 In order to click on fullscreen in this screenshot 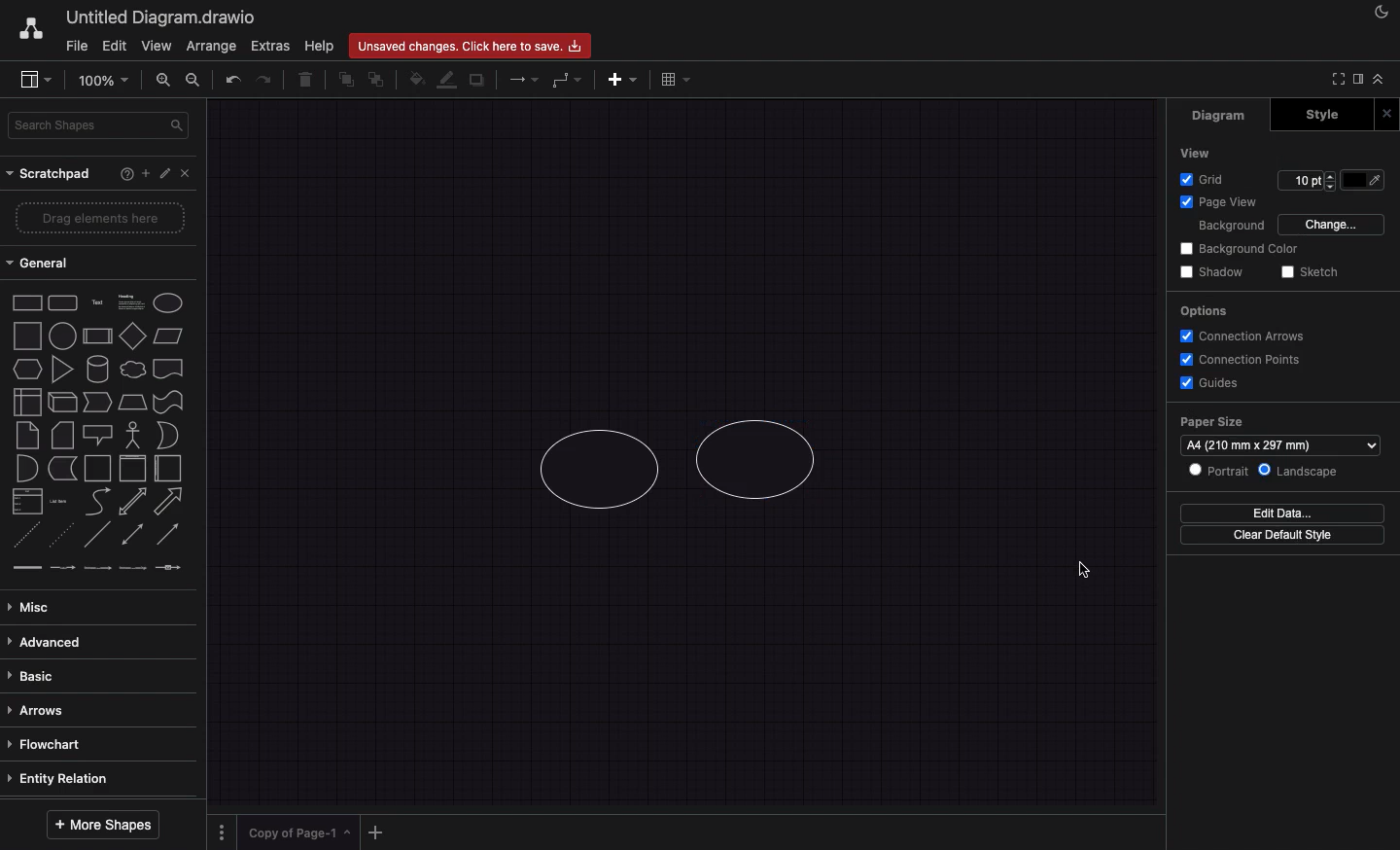, I will do `click(1337, 79)`.